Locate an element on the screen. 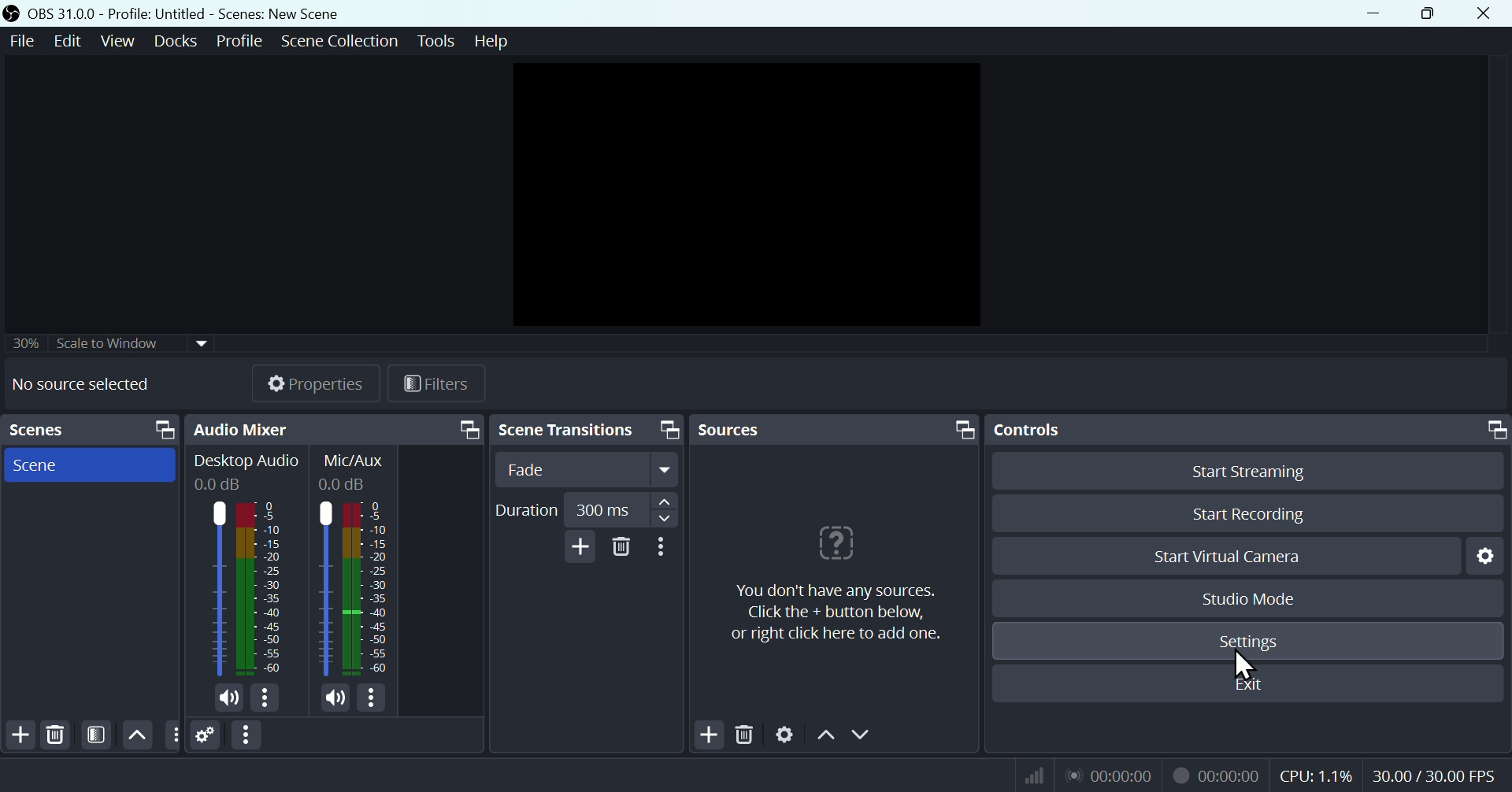  Add is located at coordinates (18, 735).